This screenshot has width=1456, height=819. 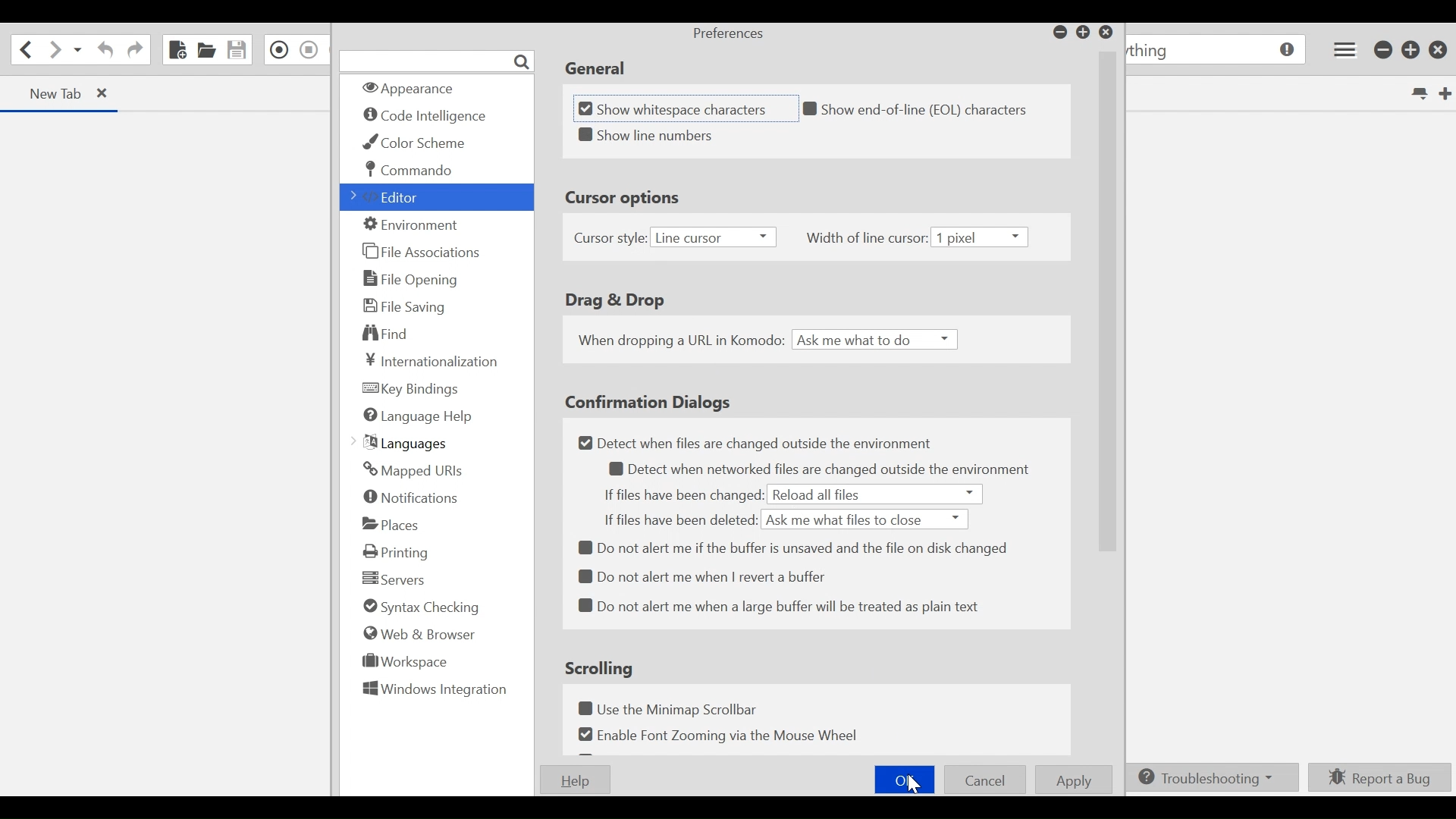 What do you see at coordinates (577, 781) in the screenshot?
I see `Help` at bounding box center [577, 781].